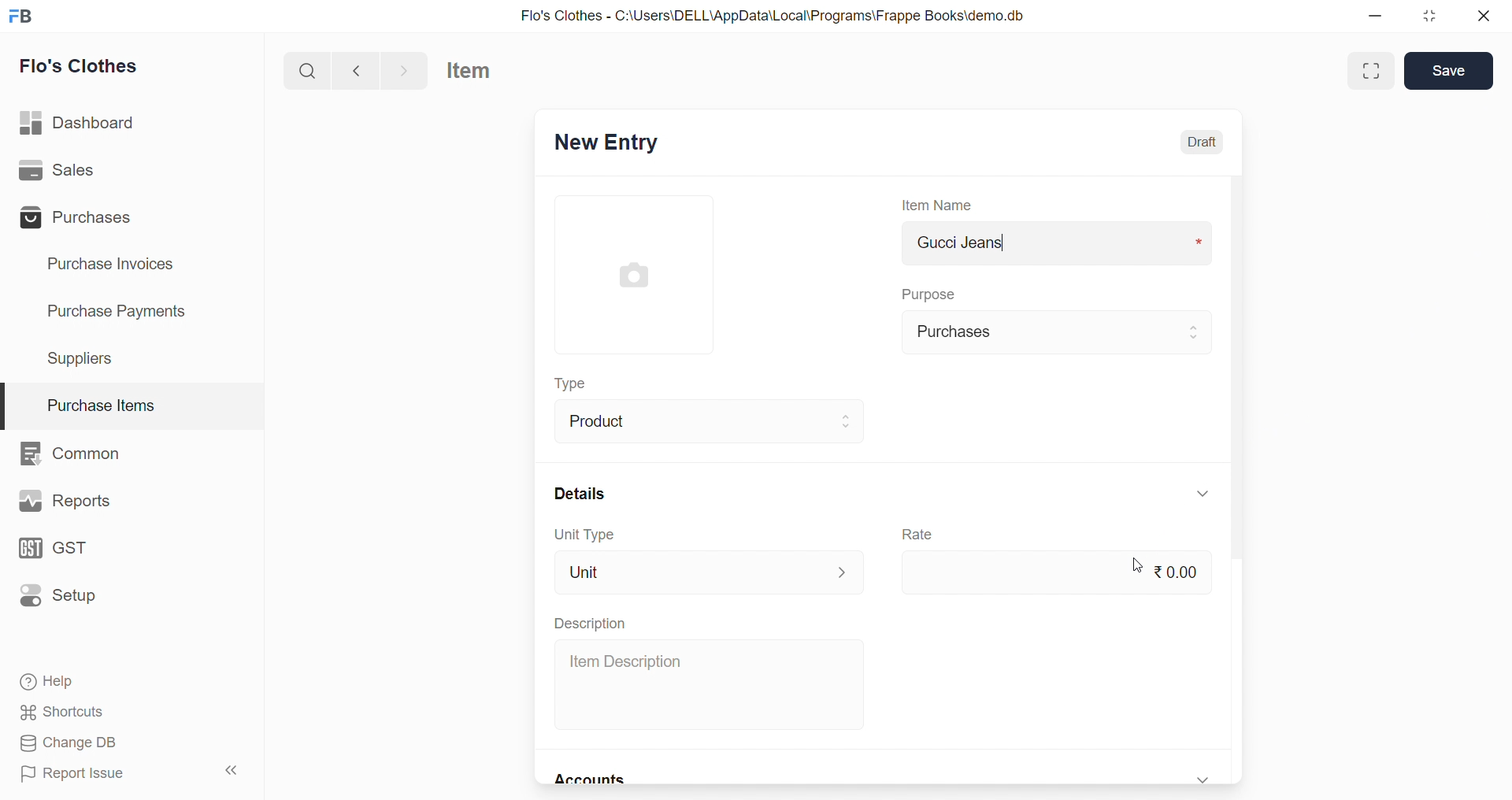 The width and height of the screenshot is (1512, 800). What do you see at coordinates (79, 452) in the screenshot?
I see `Common` at bounding box center [79, 452].